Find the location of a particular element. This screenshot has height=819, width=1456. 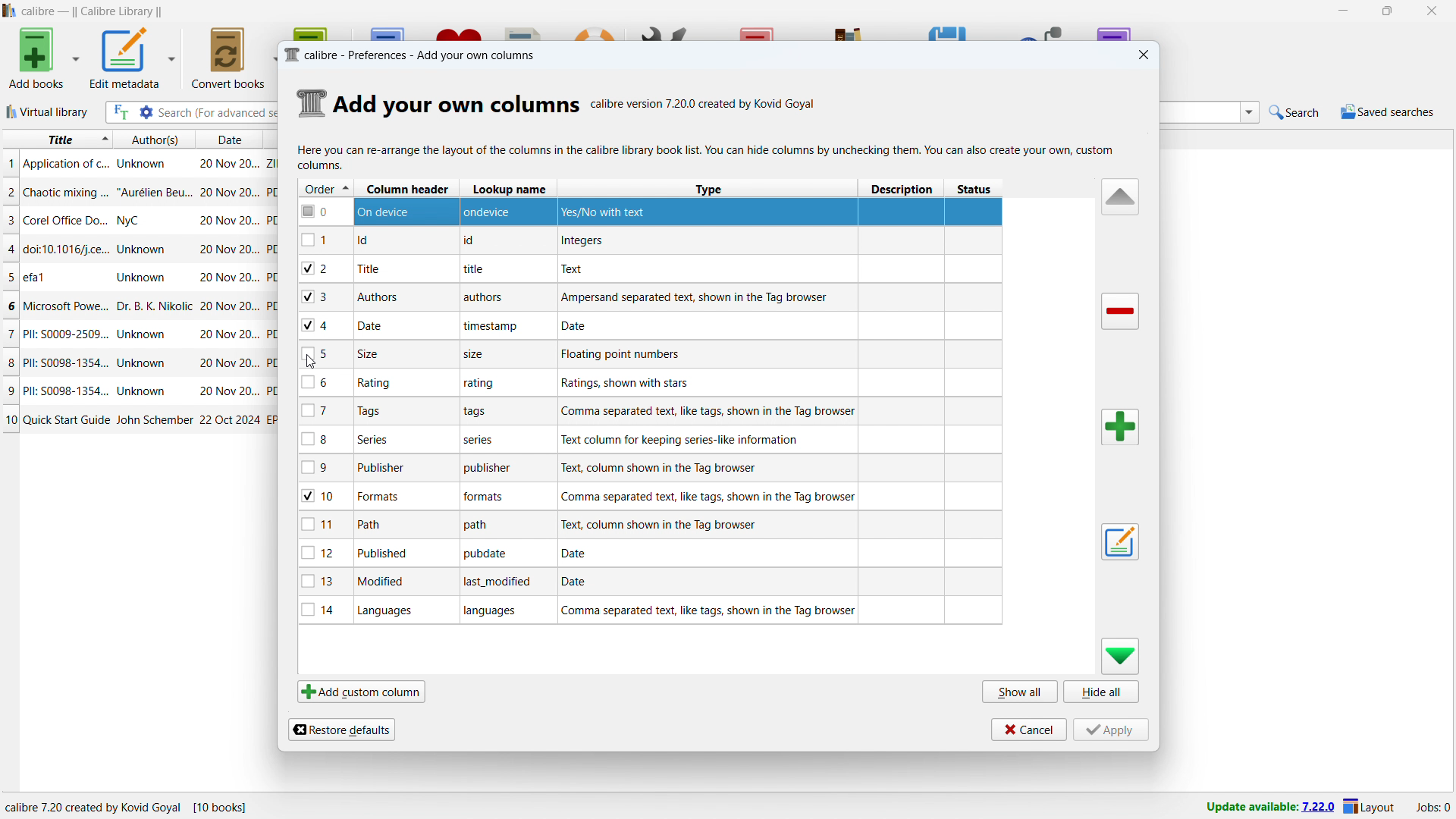

author is located at coordinates (146, 336).